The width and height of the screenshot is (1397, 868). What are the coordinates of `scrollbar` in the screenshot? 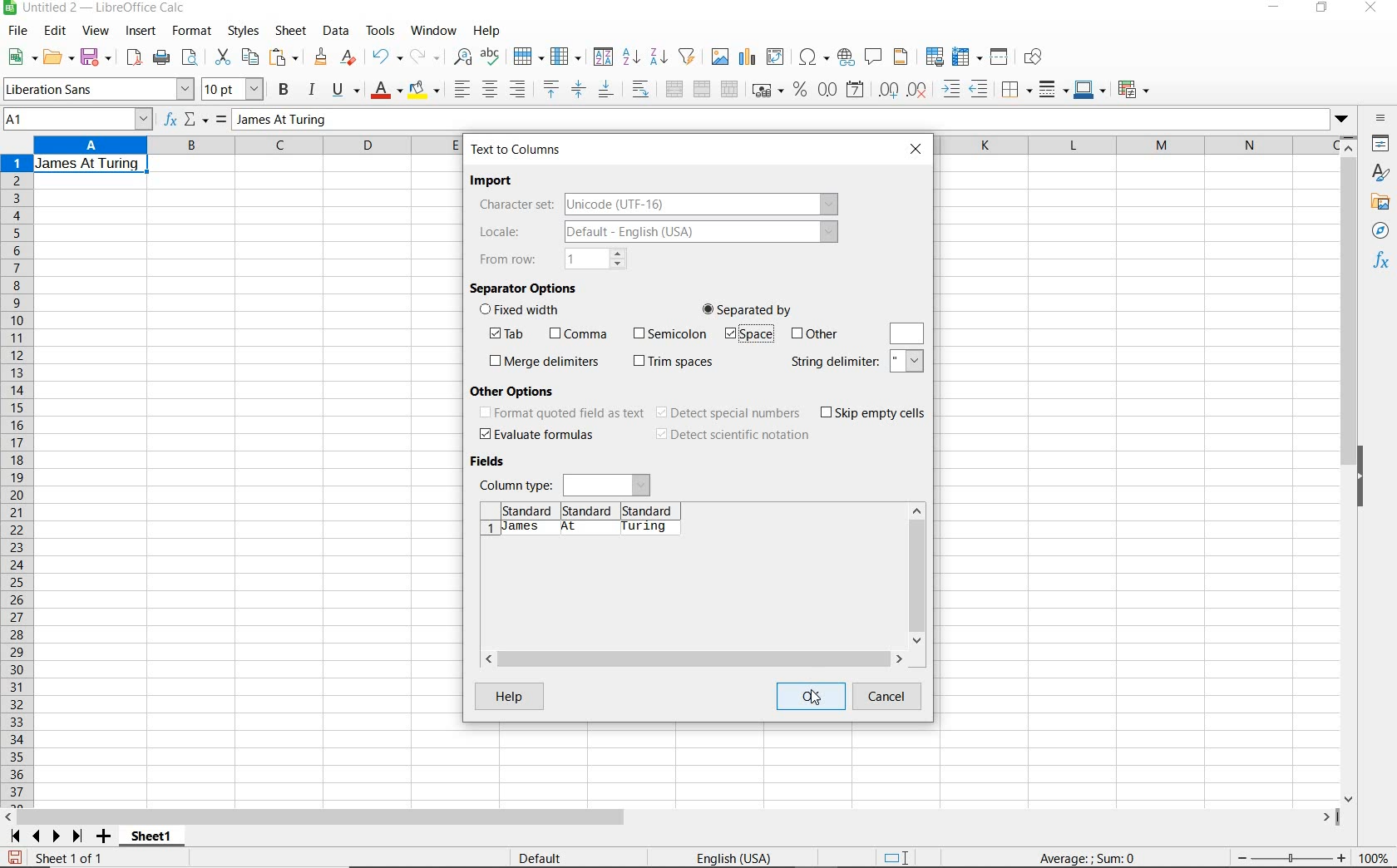 It's located at (1350, 469).